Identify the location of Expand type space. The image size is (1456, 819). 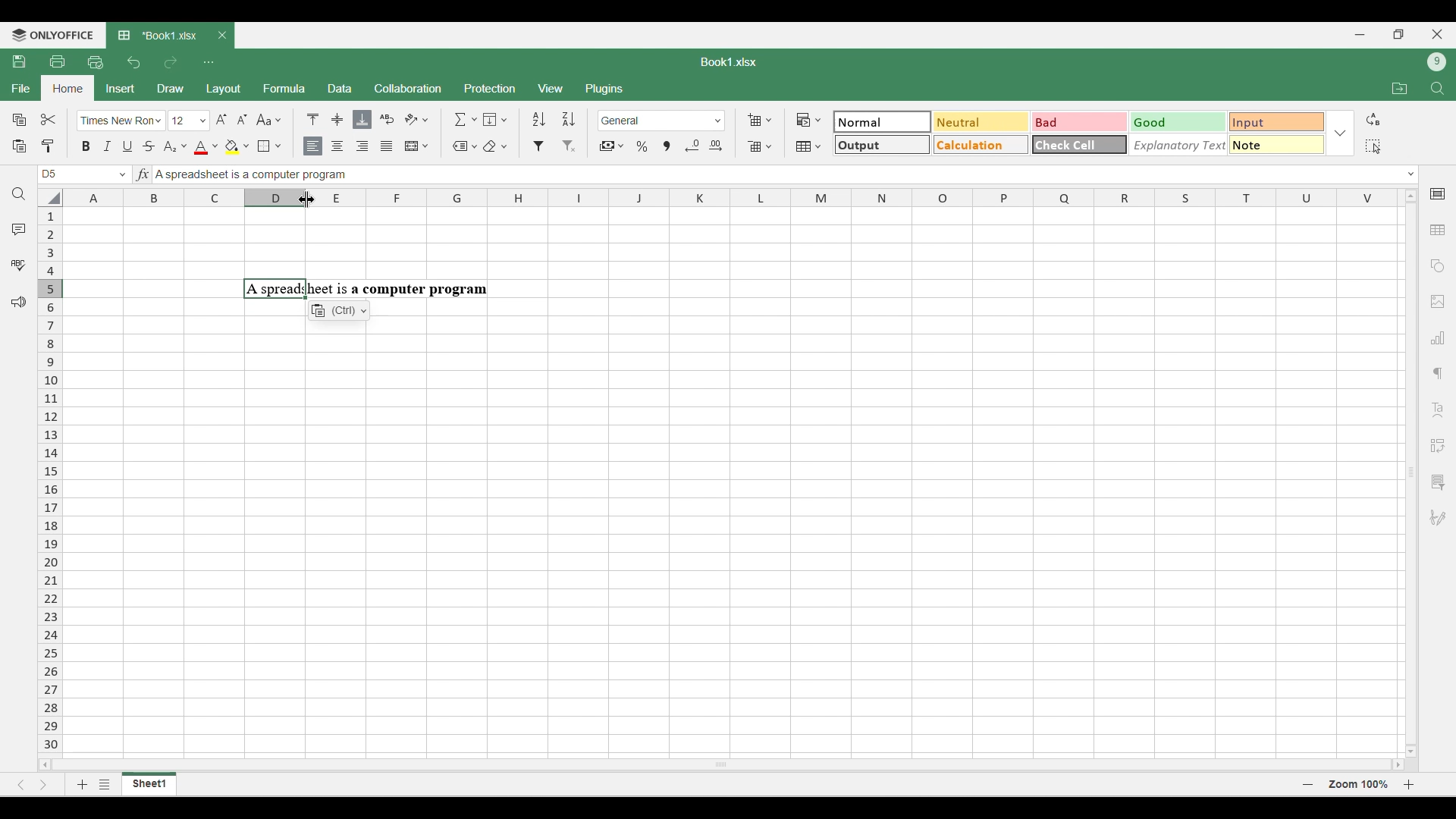
(1411, 174).